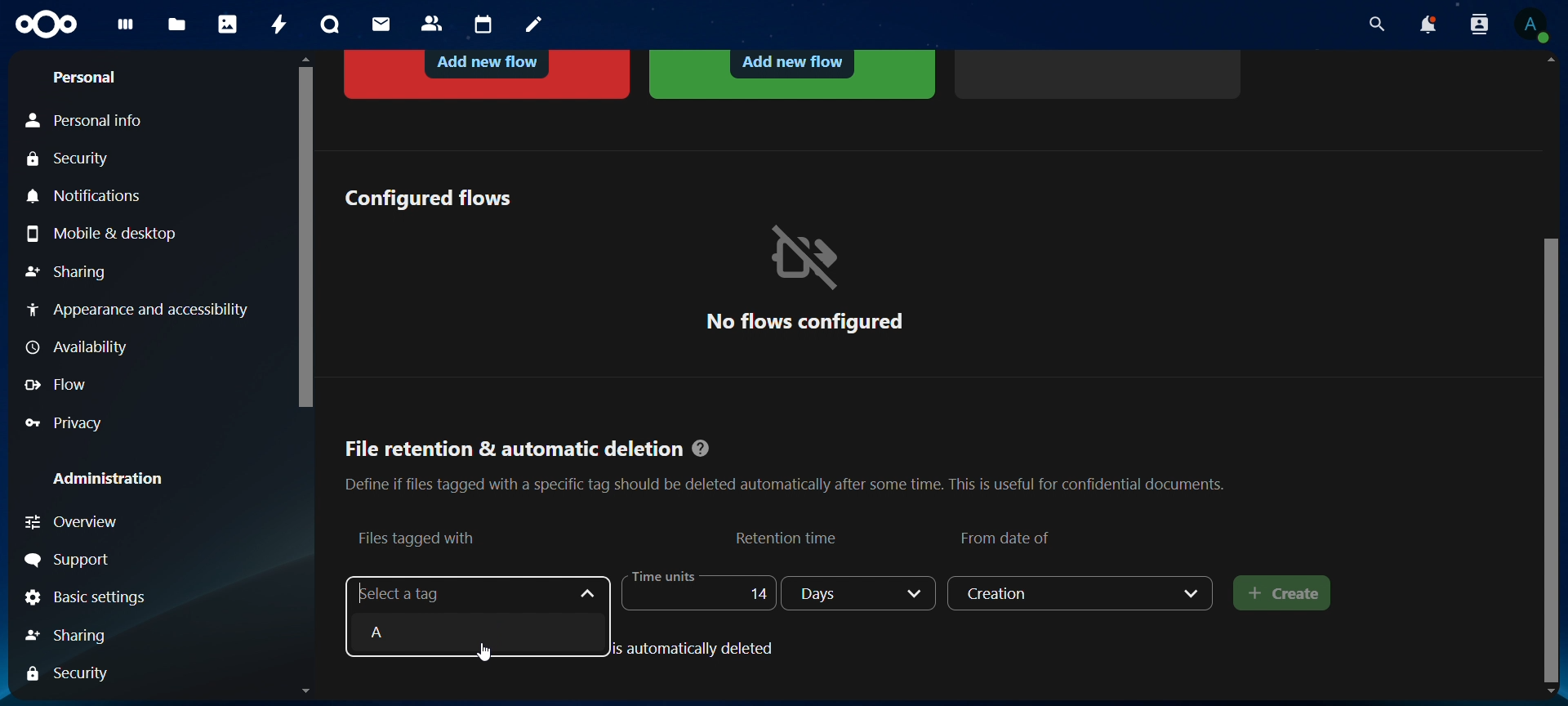  What do you see at coordinates (48, 25) in the screenshot?
I see `icon` at bounding box center [48, 25].